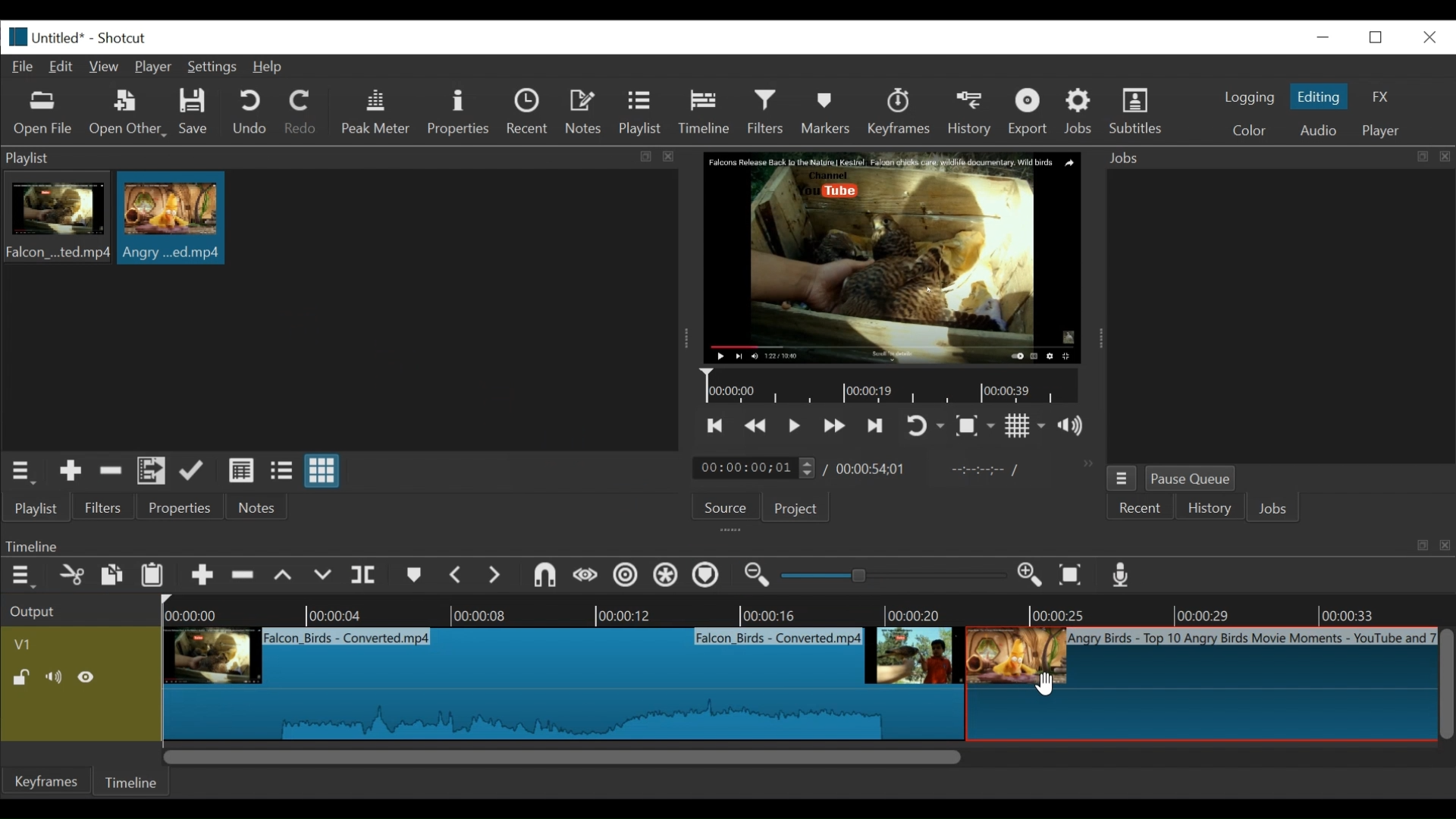  What do you see at coordinates (1122, 476) in the screenshot?
I see `jobs menu` at bounding box center [1122, 476].